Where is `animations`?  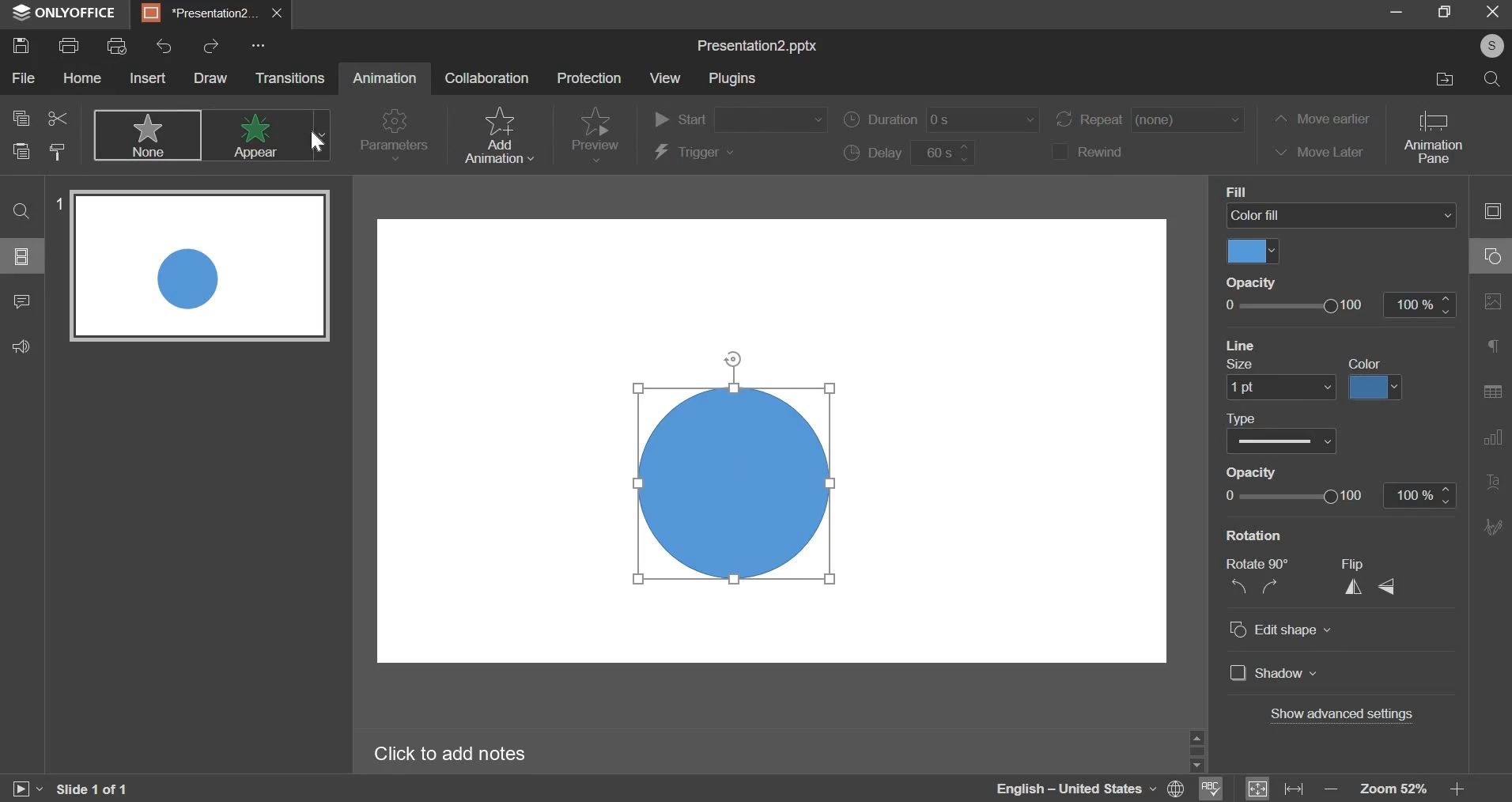 animations is located at coordinates (207, 133).